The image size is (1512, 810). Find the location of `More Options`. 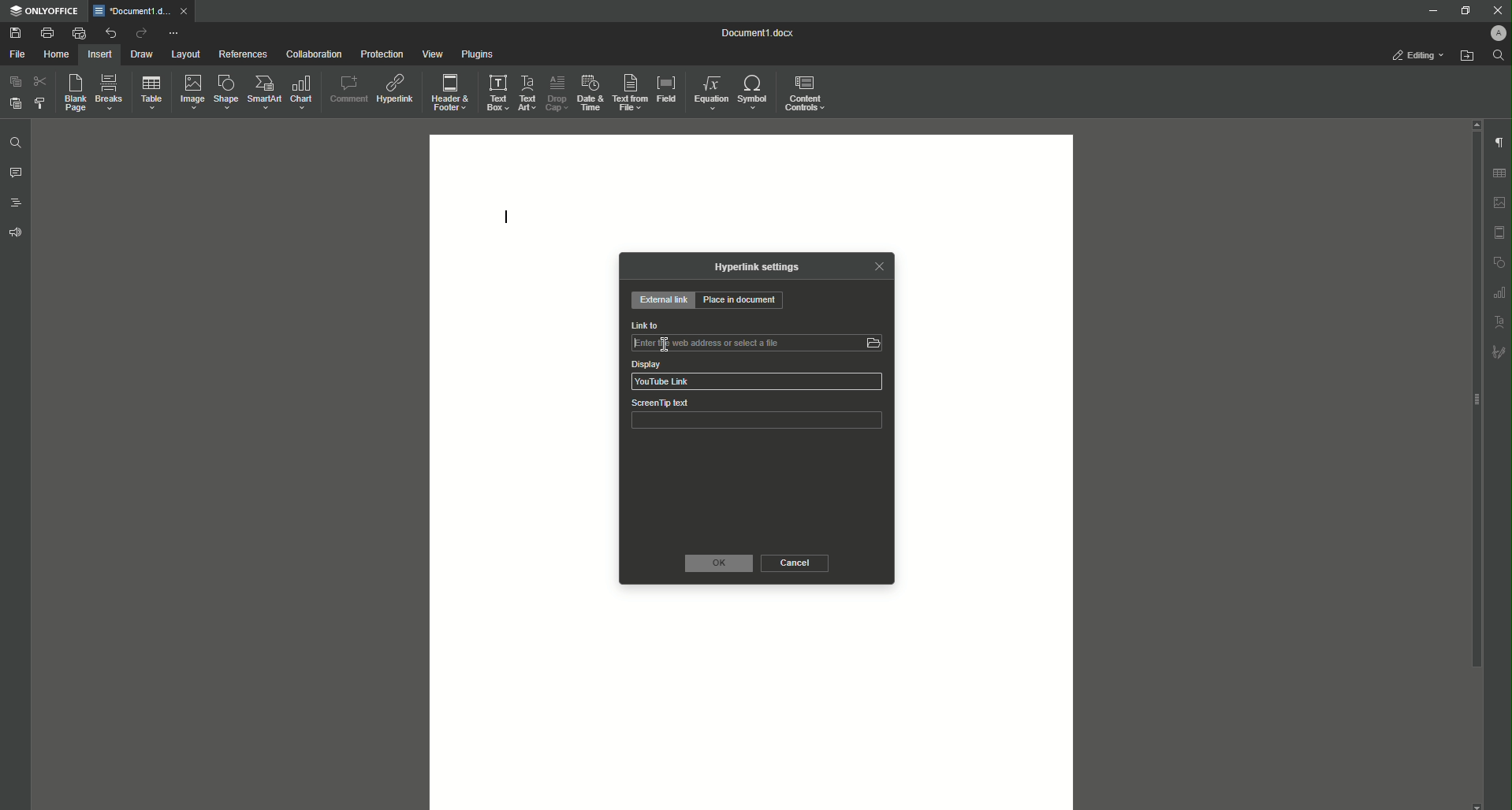

More Options is located at coordinates (175, 34).